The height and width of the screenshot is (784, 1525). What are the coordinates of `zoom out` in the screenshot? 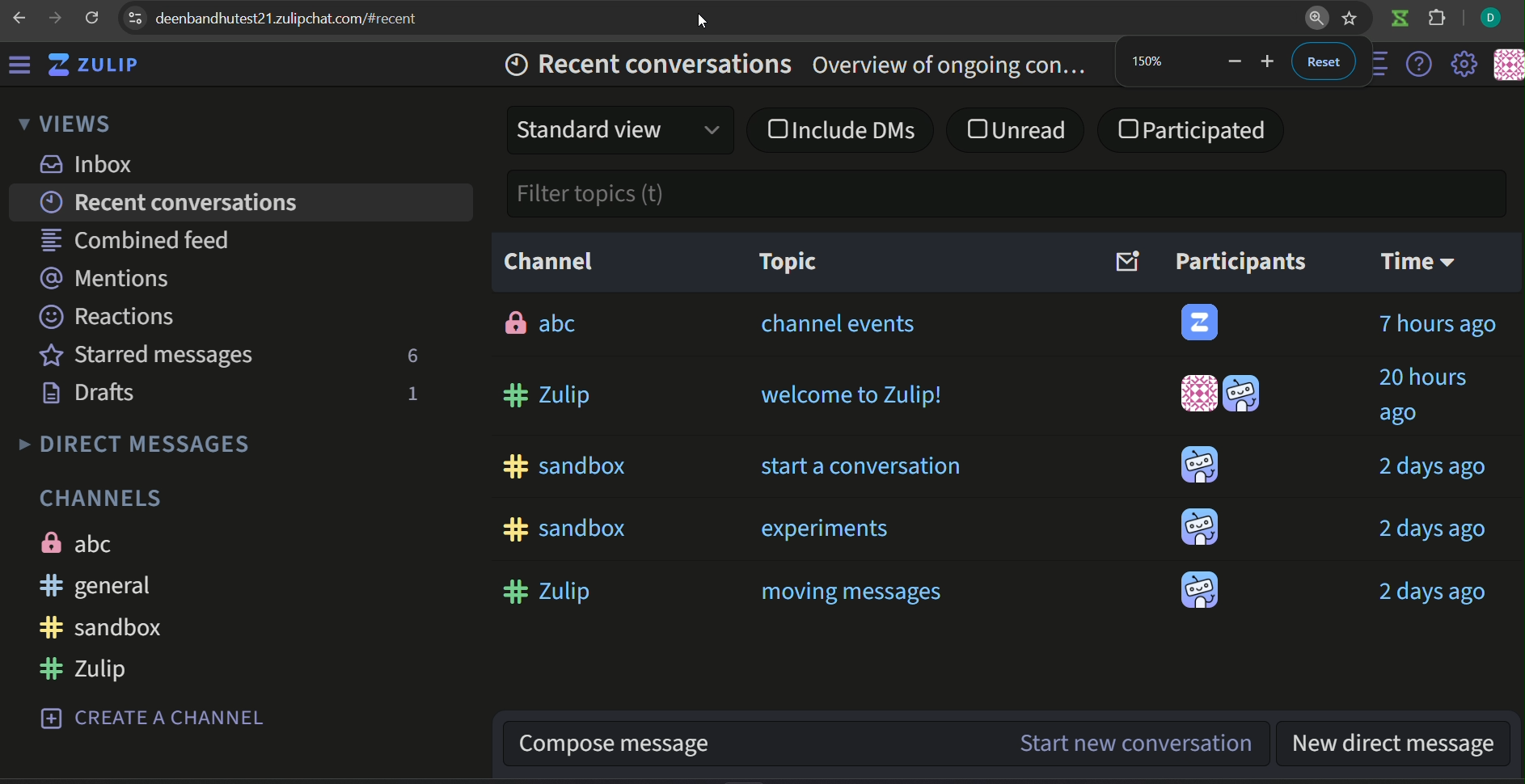 It's located at (1270, 62).